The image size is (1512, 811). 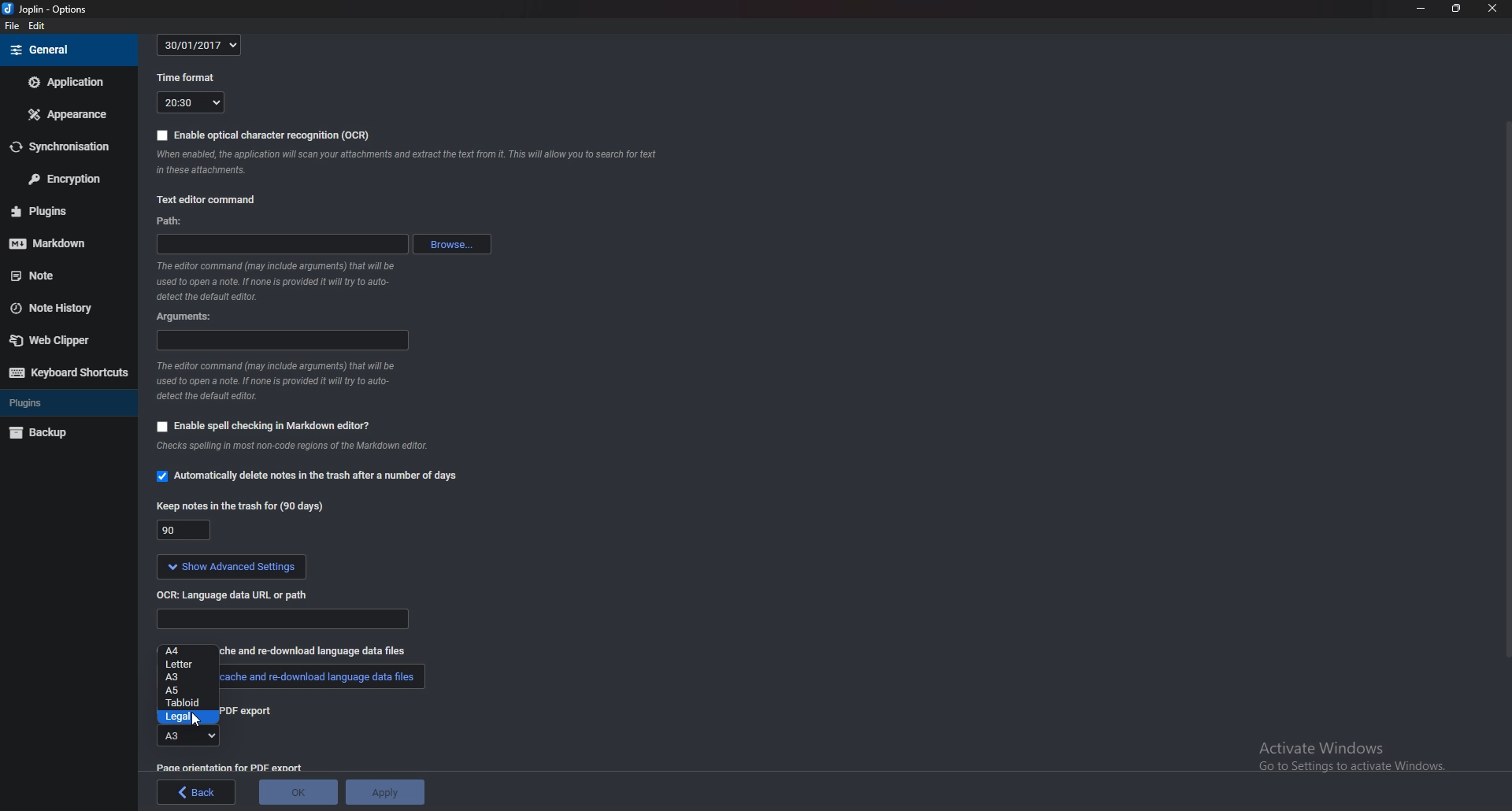 What do you see at coordinates (187, 691) in the screenshot?
I see `A5` at bounding box center [187, 691].